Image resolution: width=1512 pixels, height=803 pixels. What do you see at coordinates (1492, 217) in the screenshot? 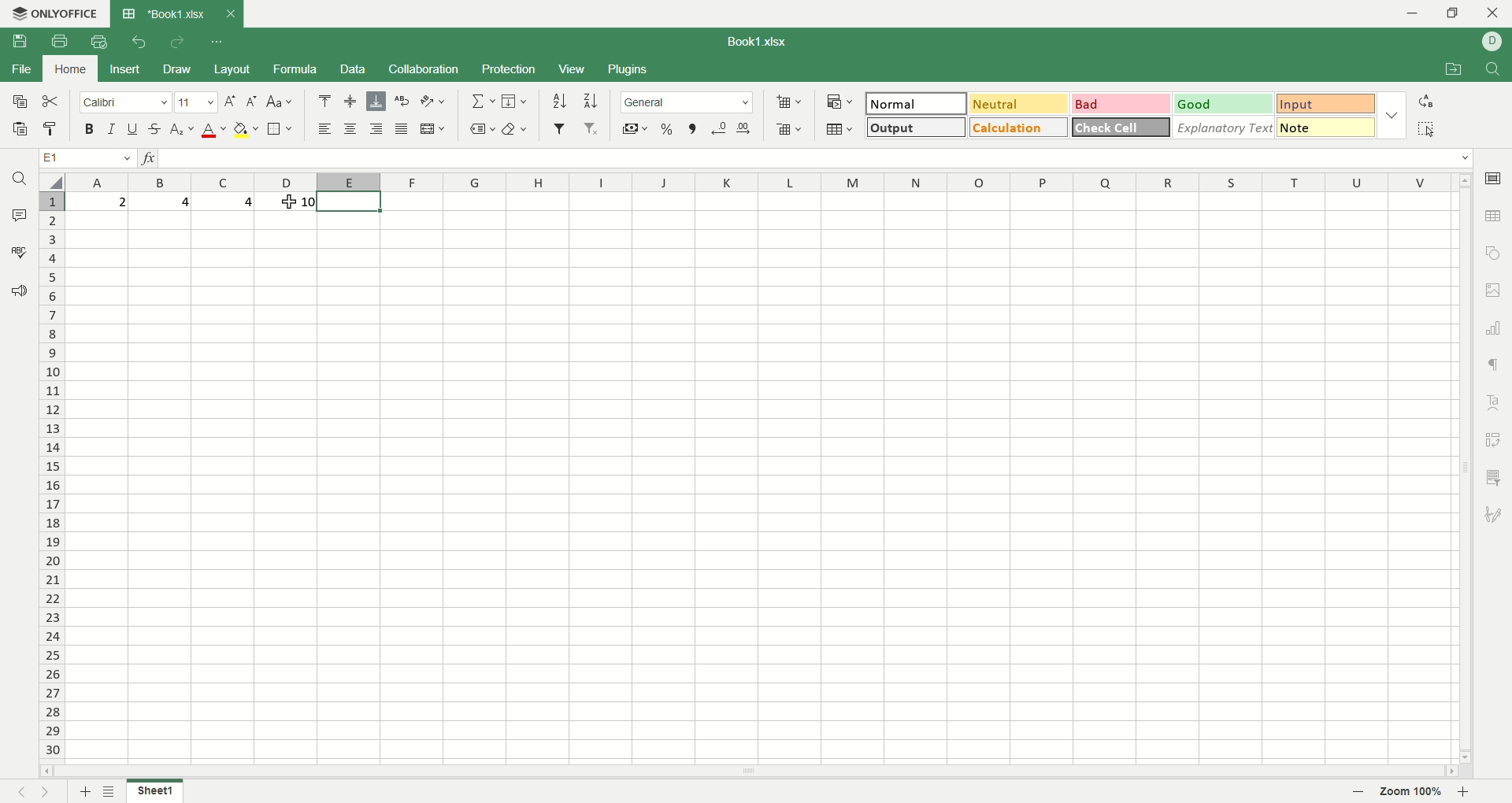
I see `table settings` at bounding box center [1492, 217].